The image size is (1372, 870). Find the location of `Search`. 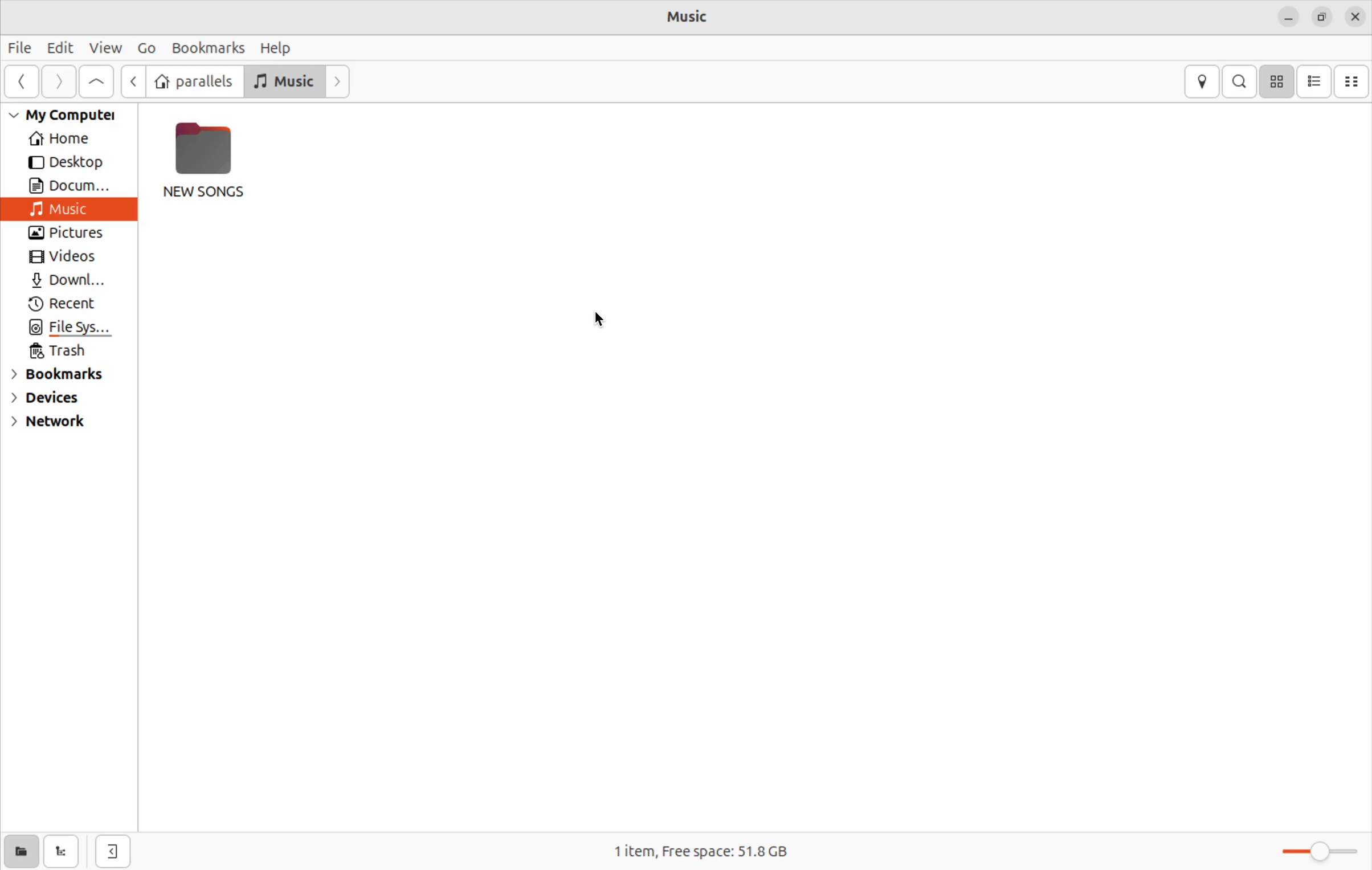

Search is located at coordinates (1240, 80).